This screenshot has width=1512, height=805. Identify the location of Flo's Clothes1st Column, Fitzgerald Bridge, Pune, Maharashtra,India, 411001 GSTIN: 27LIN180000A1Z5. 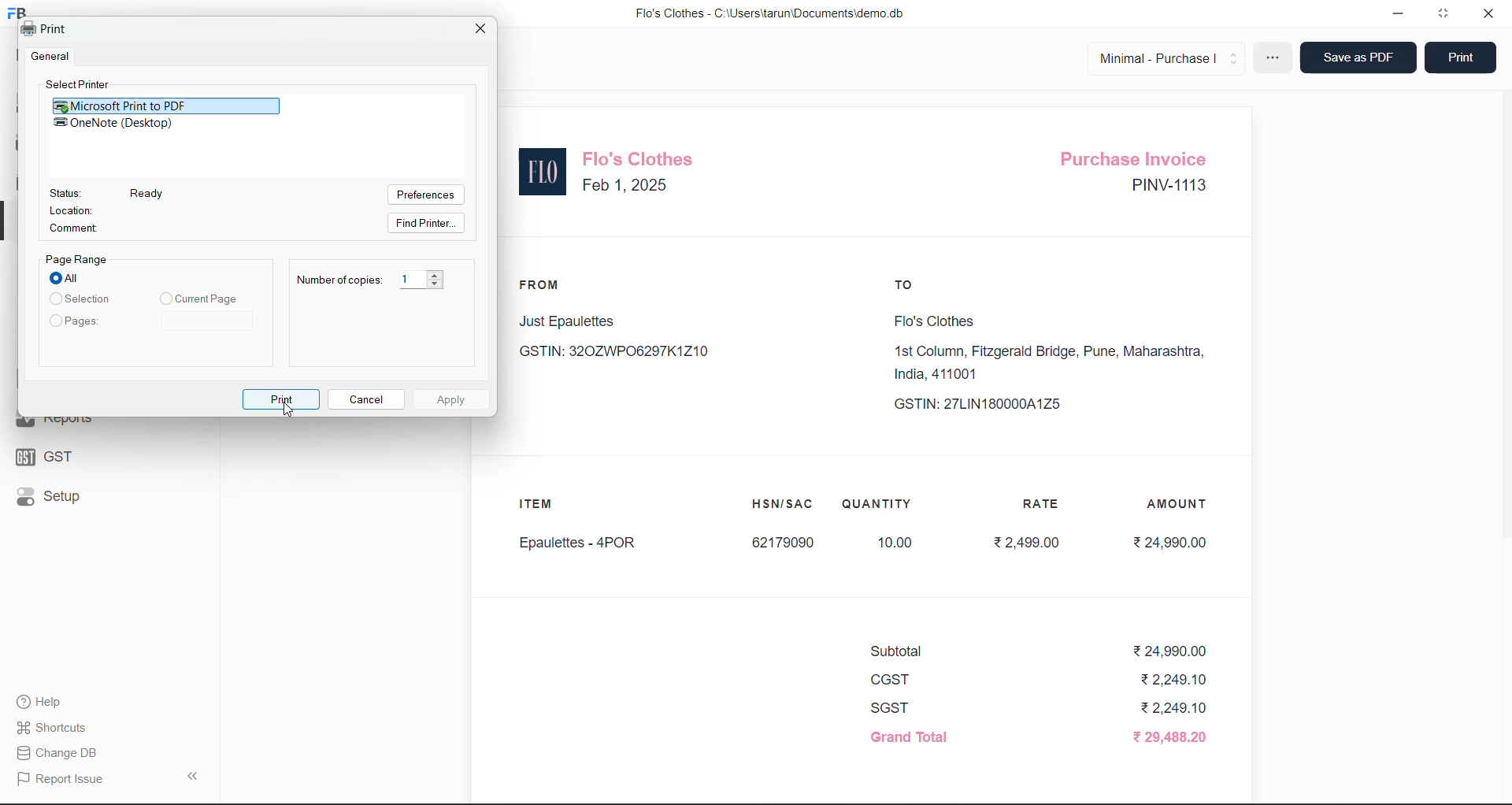
(1039, 362).